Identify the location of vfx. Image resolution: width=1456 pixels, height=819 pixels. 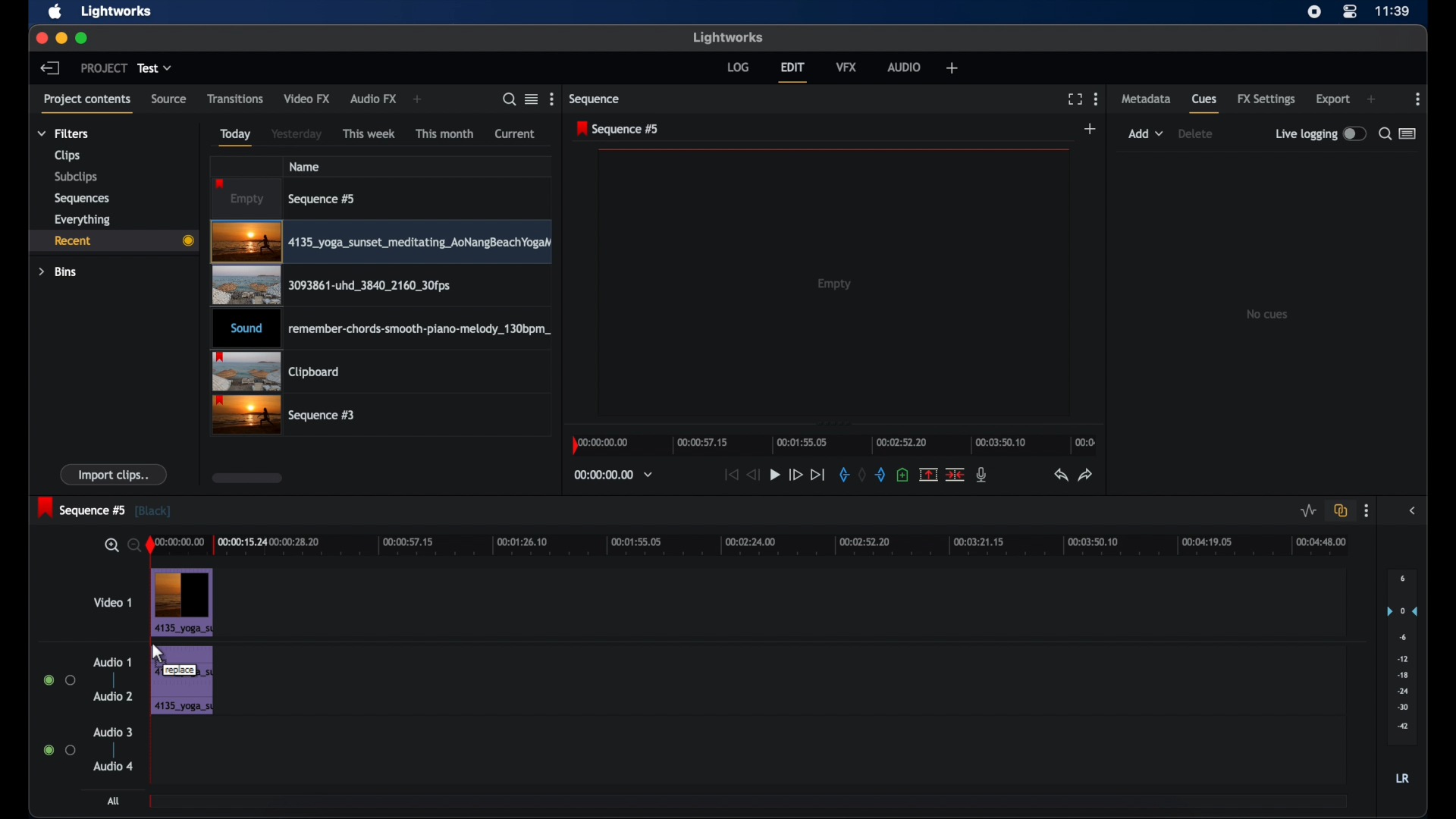
(847, 68).